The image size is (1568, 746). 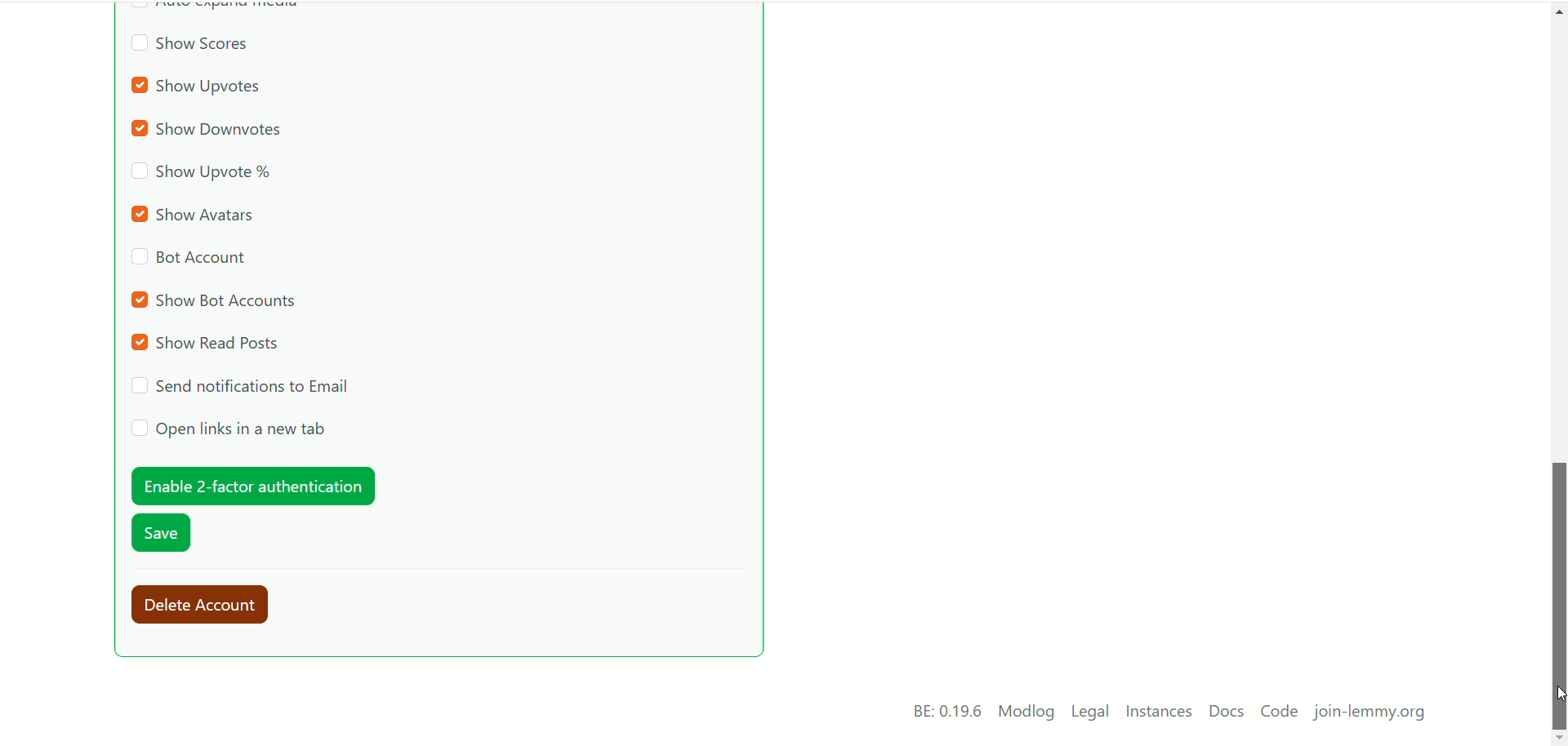 I want to click on BE, so click(x=944, y=712).